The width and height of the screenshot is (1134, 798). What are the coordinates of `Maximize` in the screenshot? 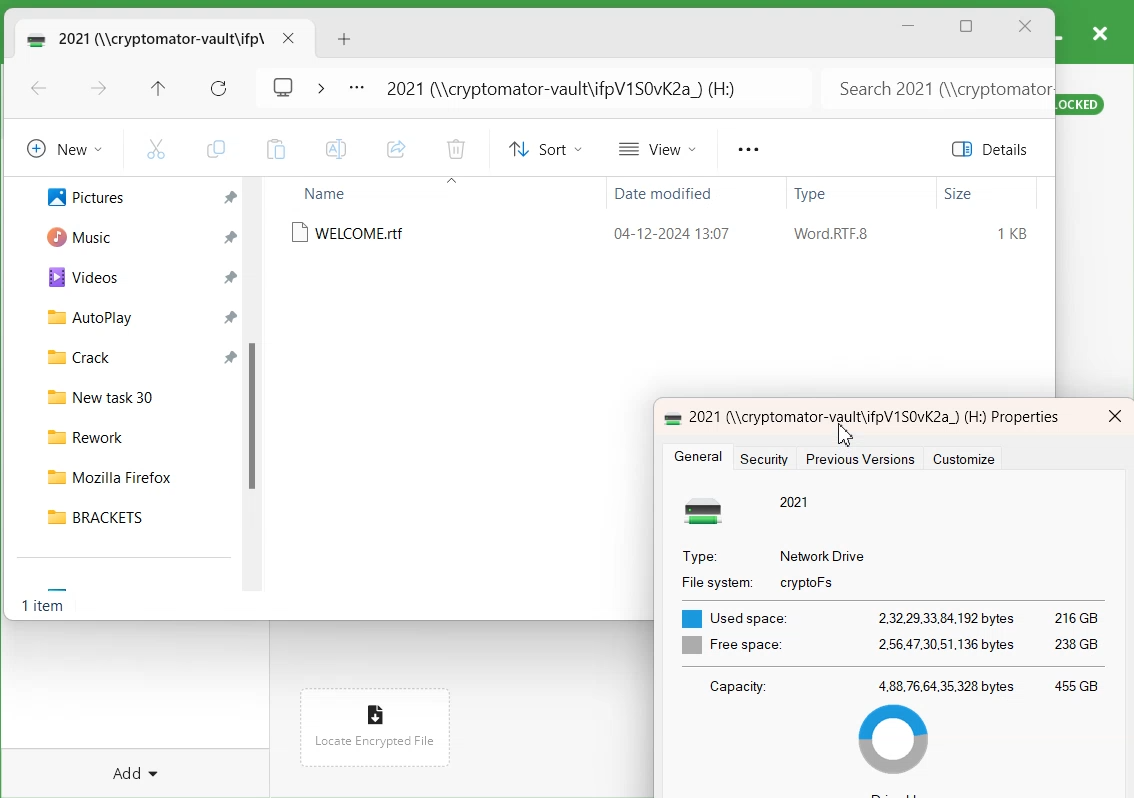 It's located at (967, 28).